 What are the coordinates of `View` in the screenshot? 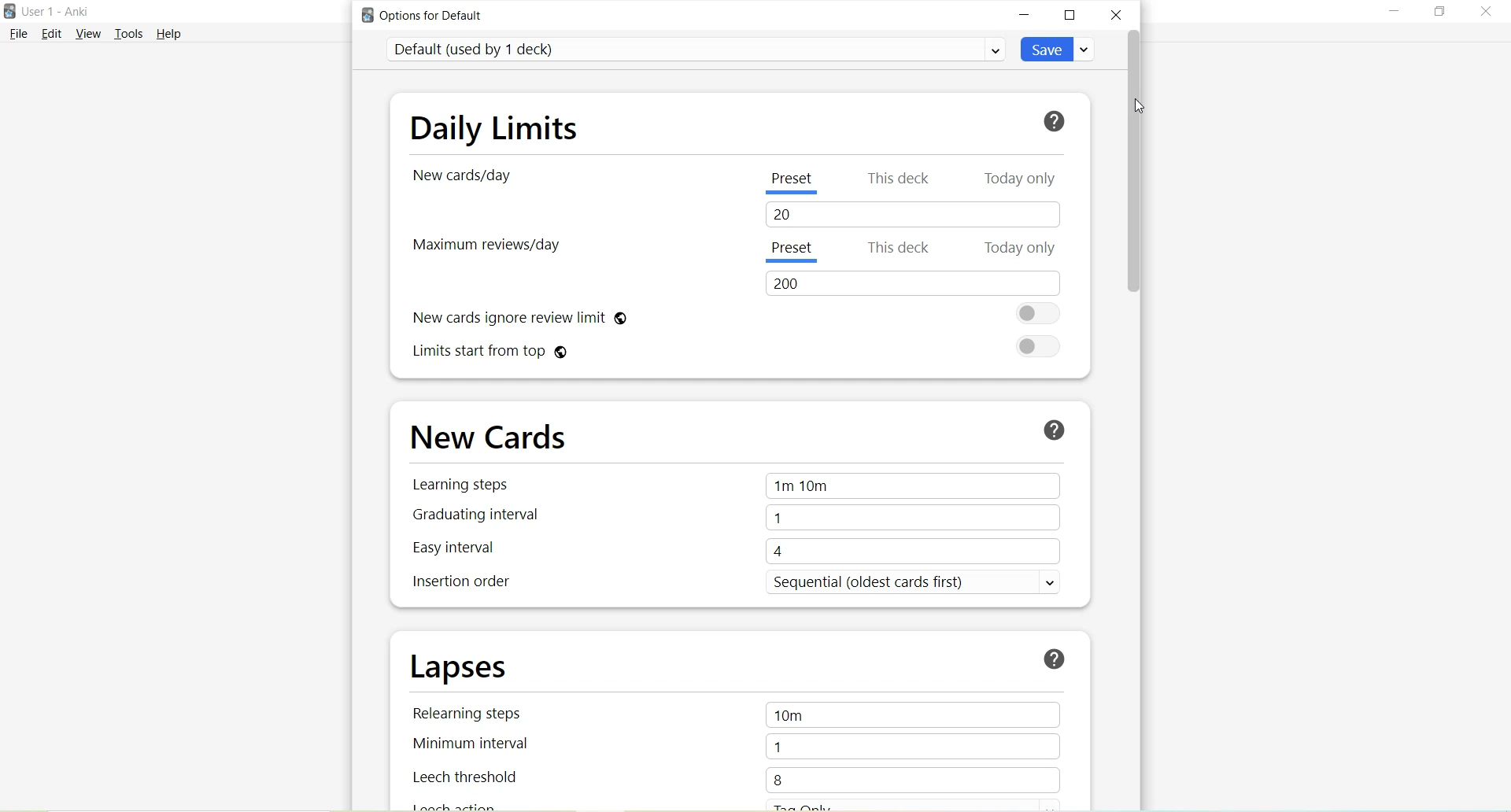 It's located at (91, 33).